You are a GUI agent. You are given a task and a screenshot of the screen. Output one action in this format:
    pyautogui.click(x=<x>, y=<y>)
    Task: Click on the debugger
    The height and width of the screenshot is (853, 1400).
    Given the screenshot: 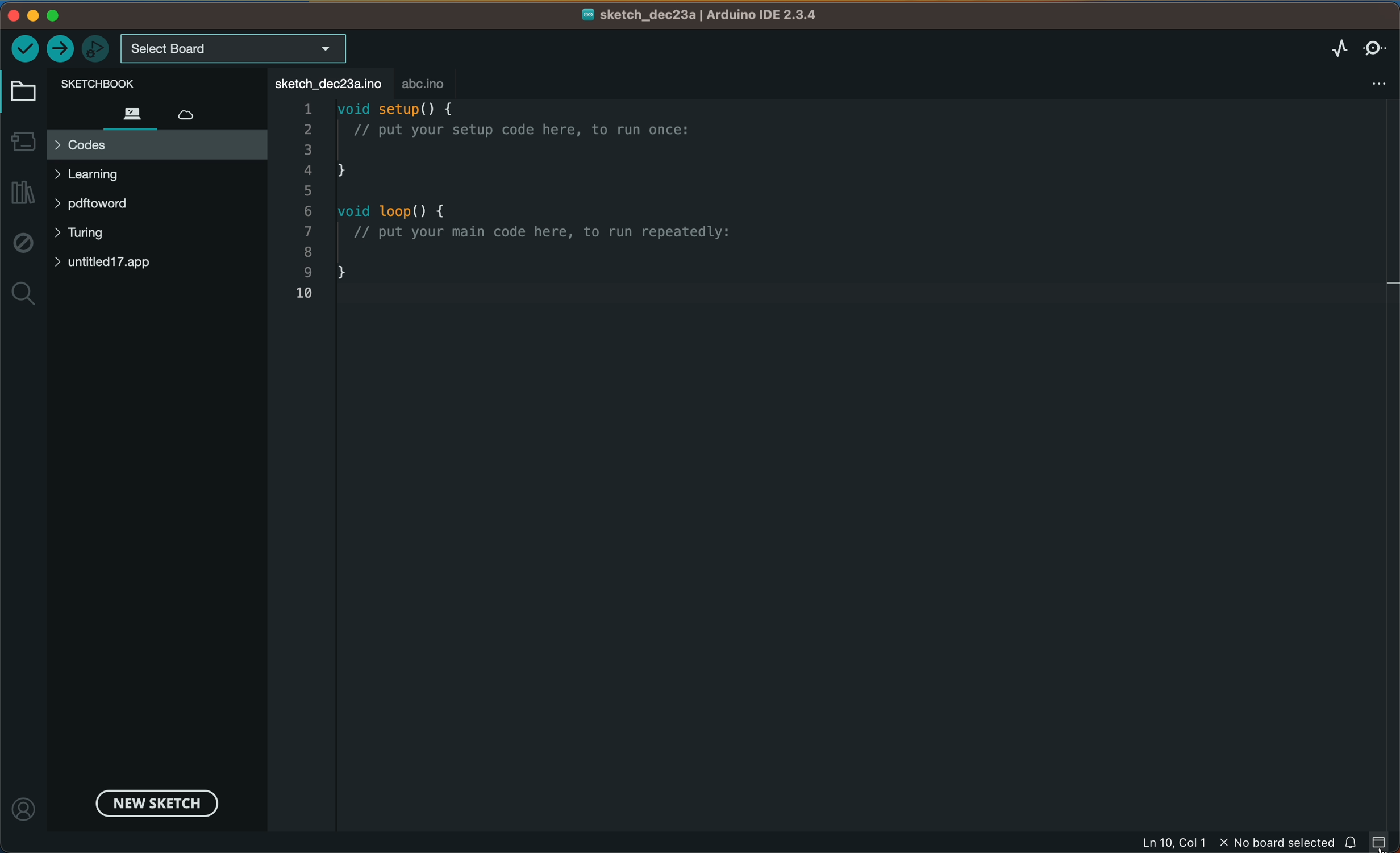 What is the action you would take?
    pyautogui.click(x=93, y=48)
    